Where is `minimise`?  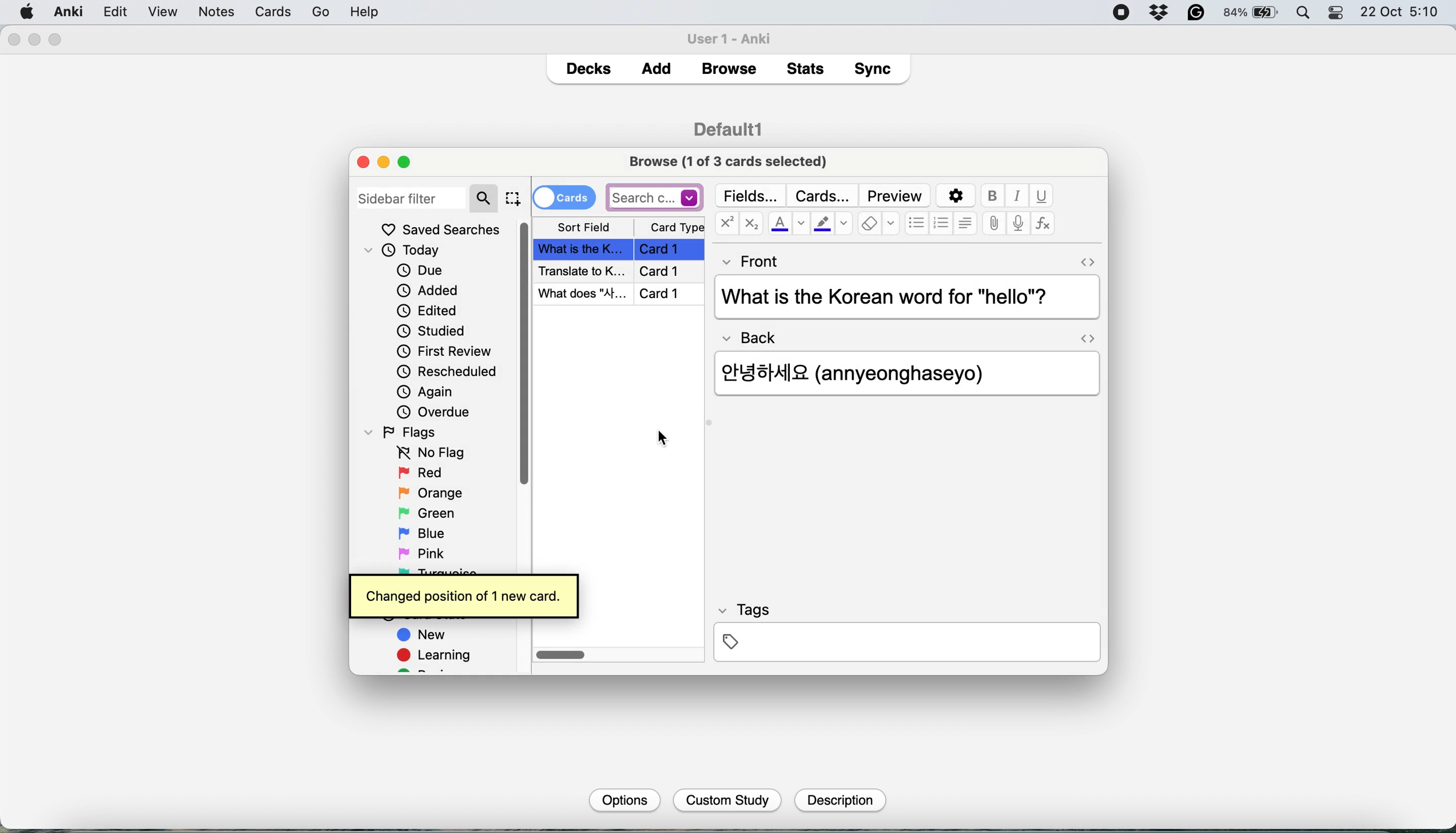
minimise is located at coordinates (383, 162).